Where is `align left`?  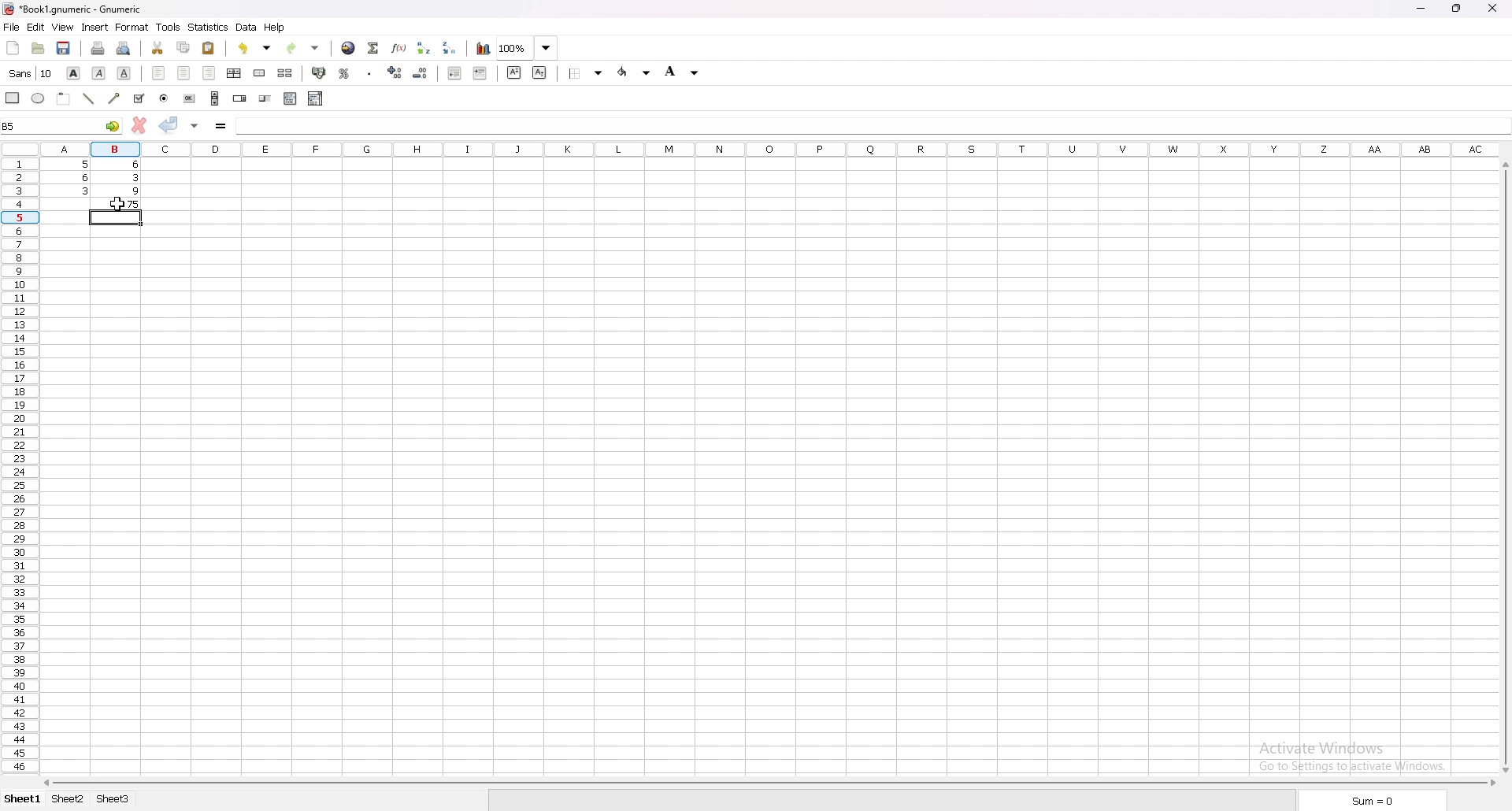 align left is located at coordinates (157, 74).